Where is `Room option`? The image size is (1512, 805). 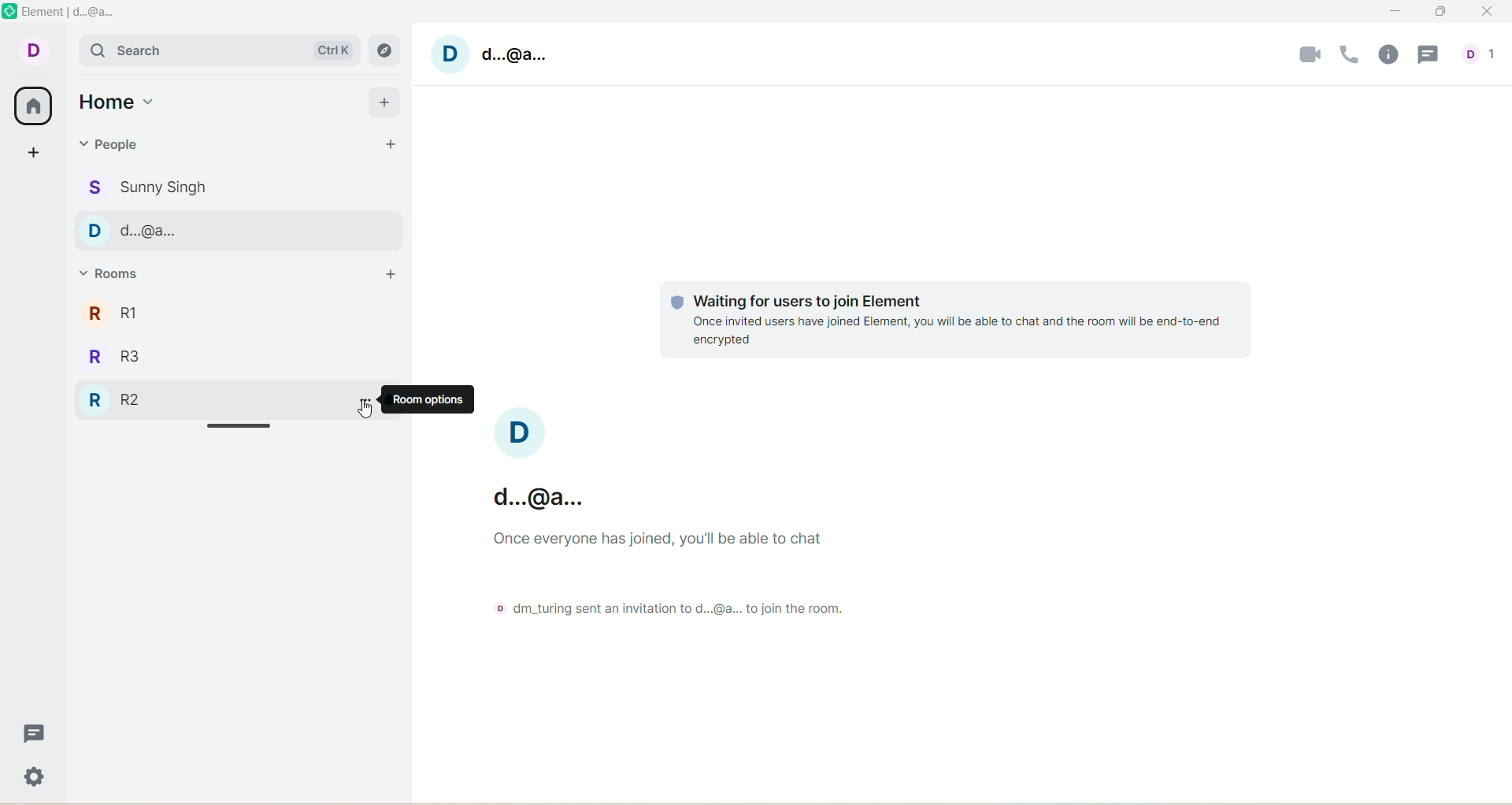 Room option is located at coordinates (367, 402).